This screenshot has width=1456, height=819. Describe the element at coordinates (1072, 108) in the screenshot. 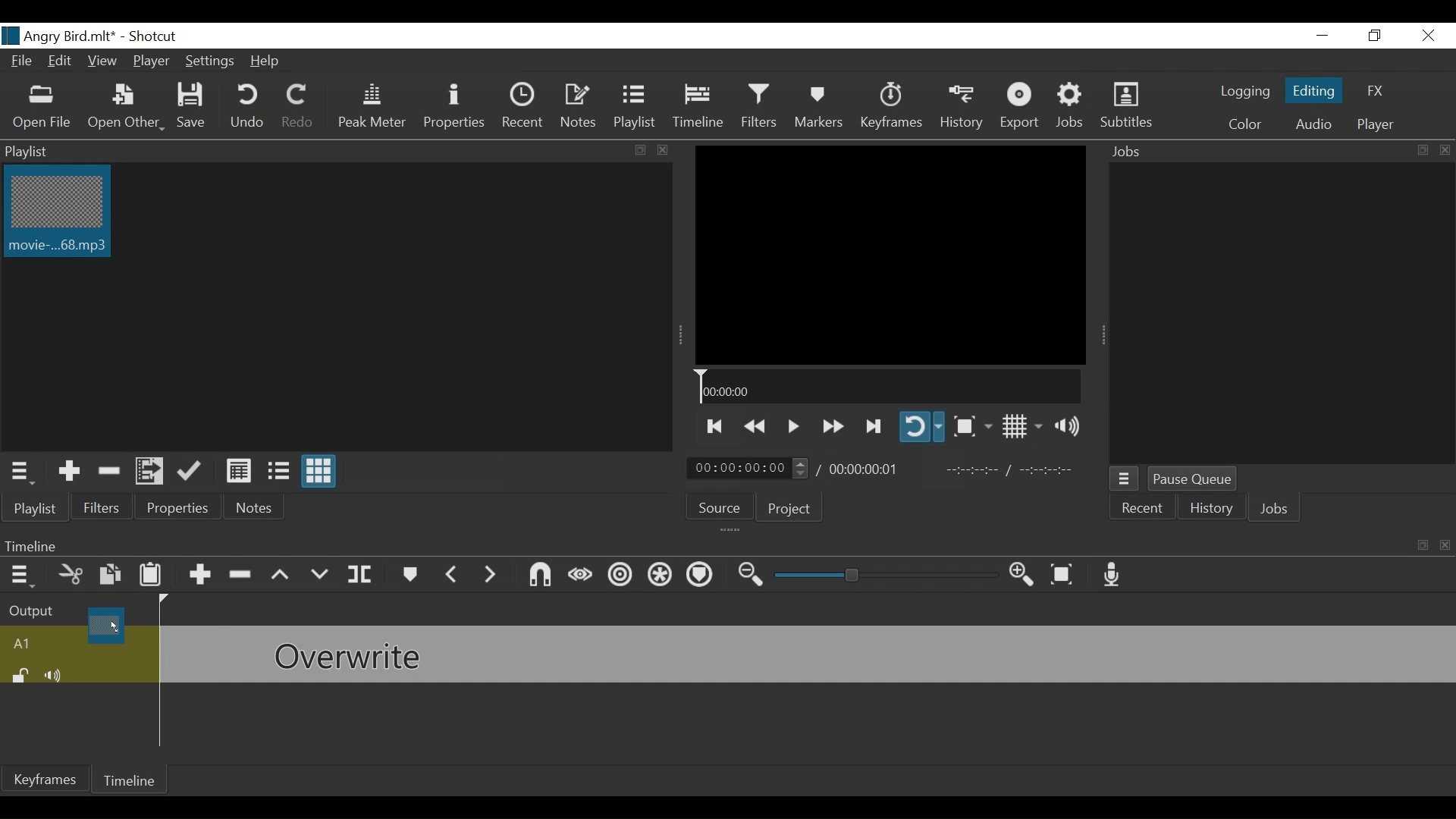

I see `Jobs` at that location.